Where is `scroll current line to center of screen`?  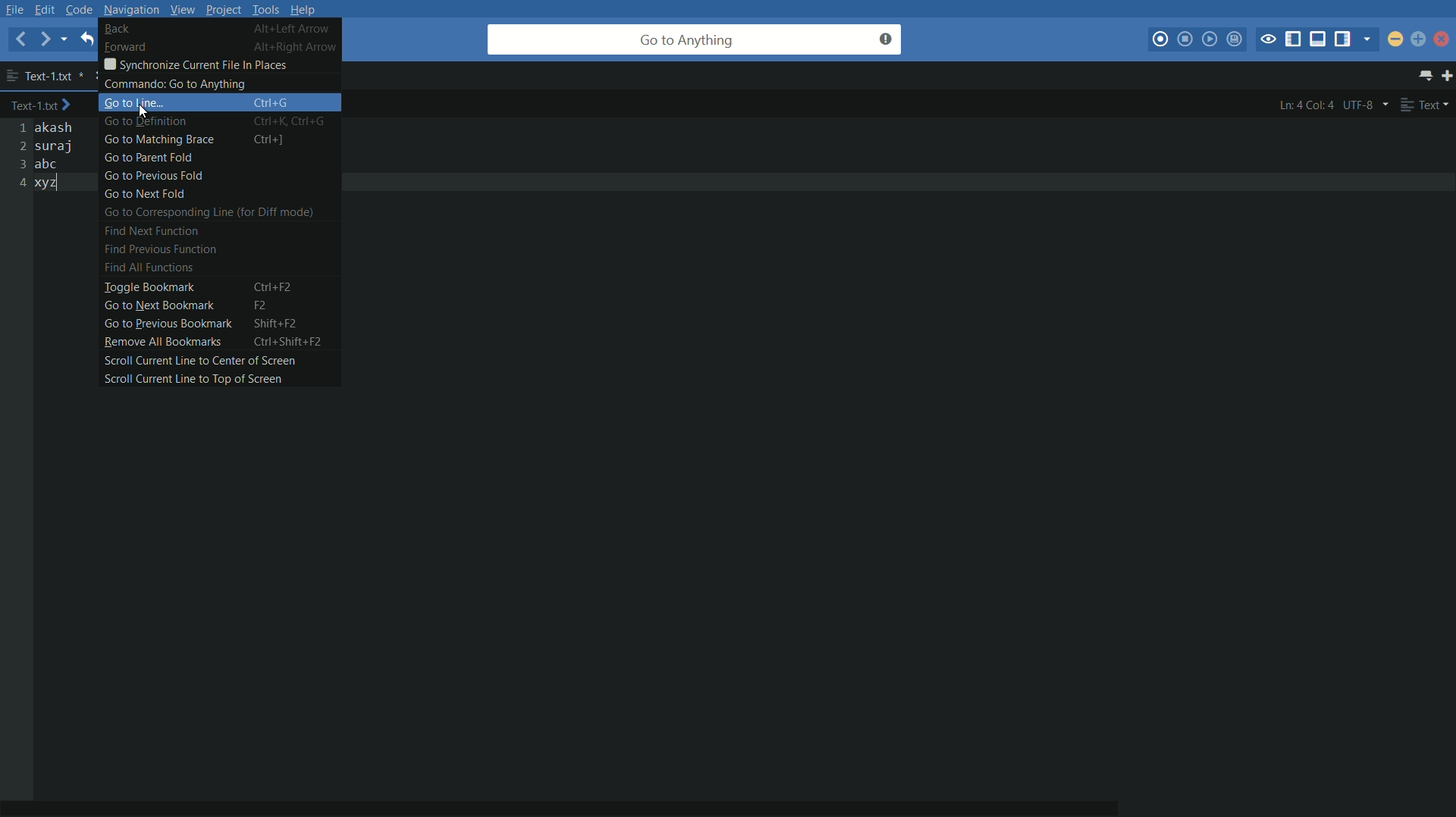
scroll current line to center of screen is located at coordinates (196, 359).